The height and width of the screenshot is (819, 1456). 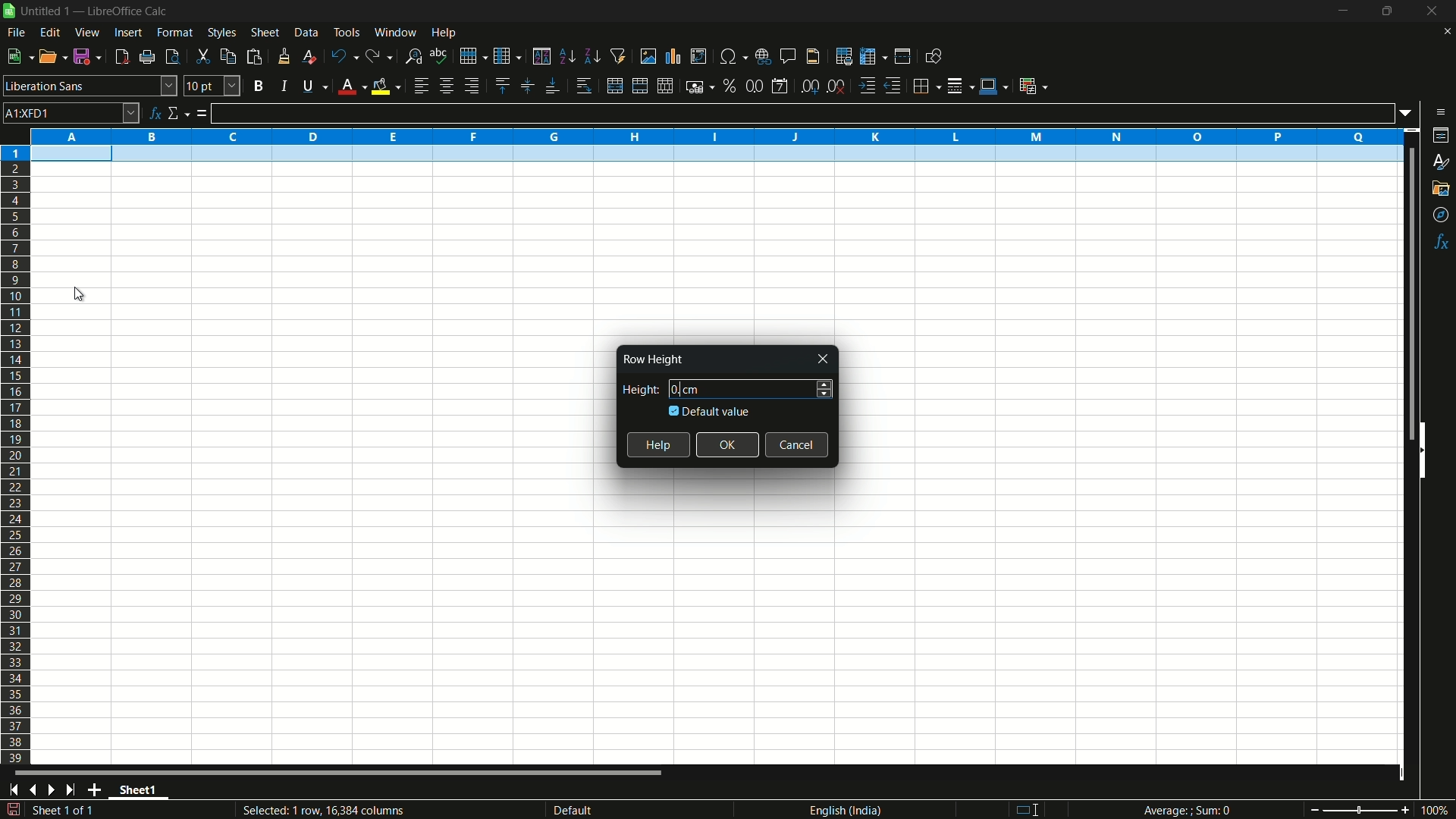 I want to click on wrap text, so click(x=587, y=86).